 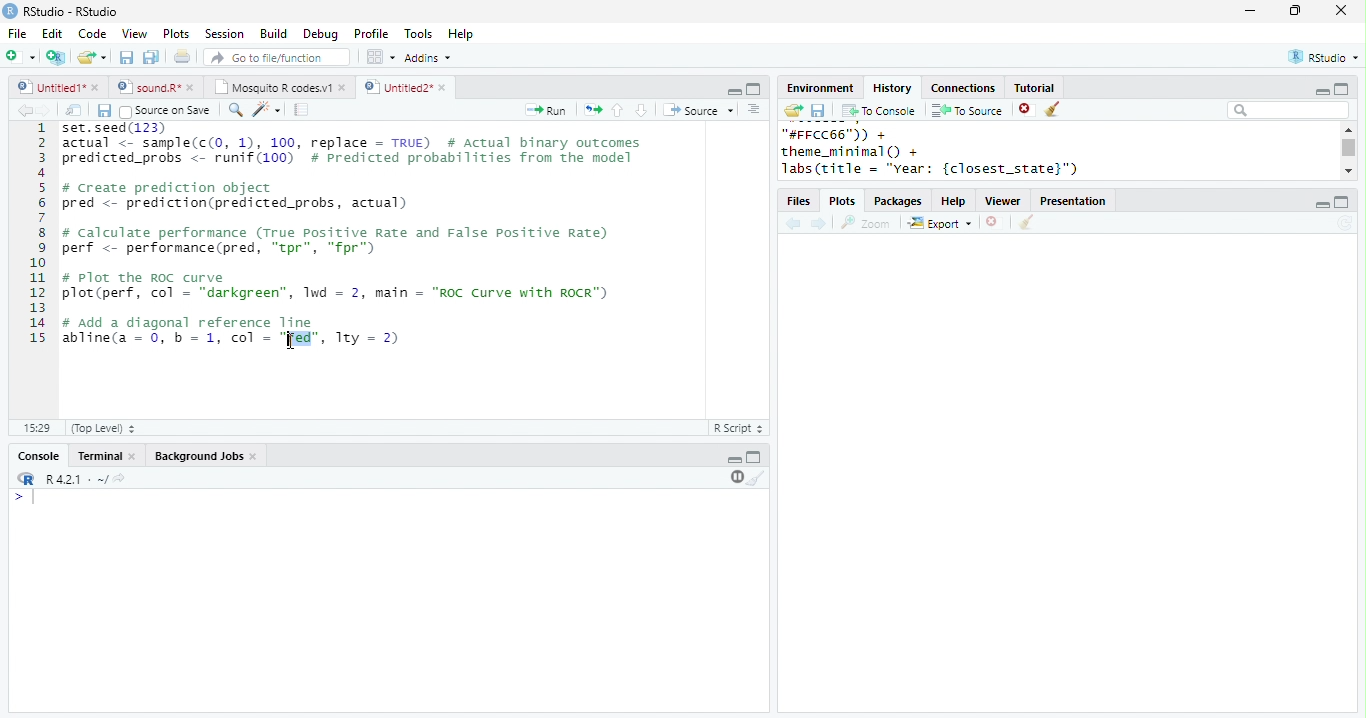 I want to click on save all, so click(x=151, y=57).